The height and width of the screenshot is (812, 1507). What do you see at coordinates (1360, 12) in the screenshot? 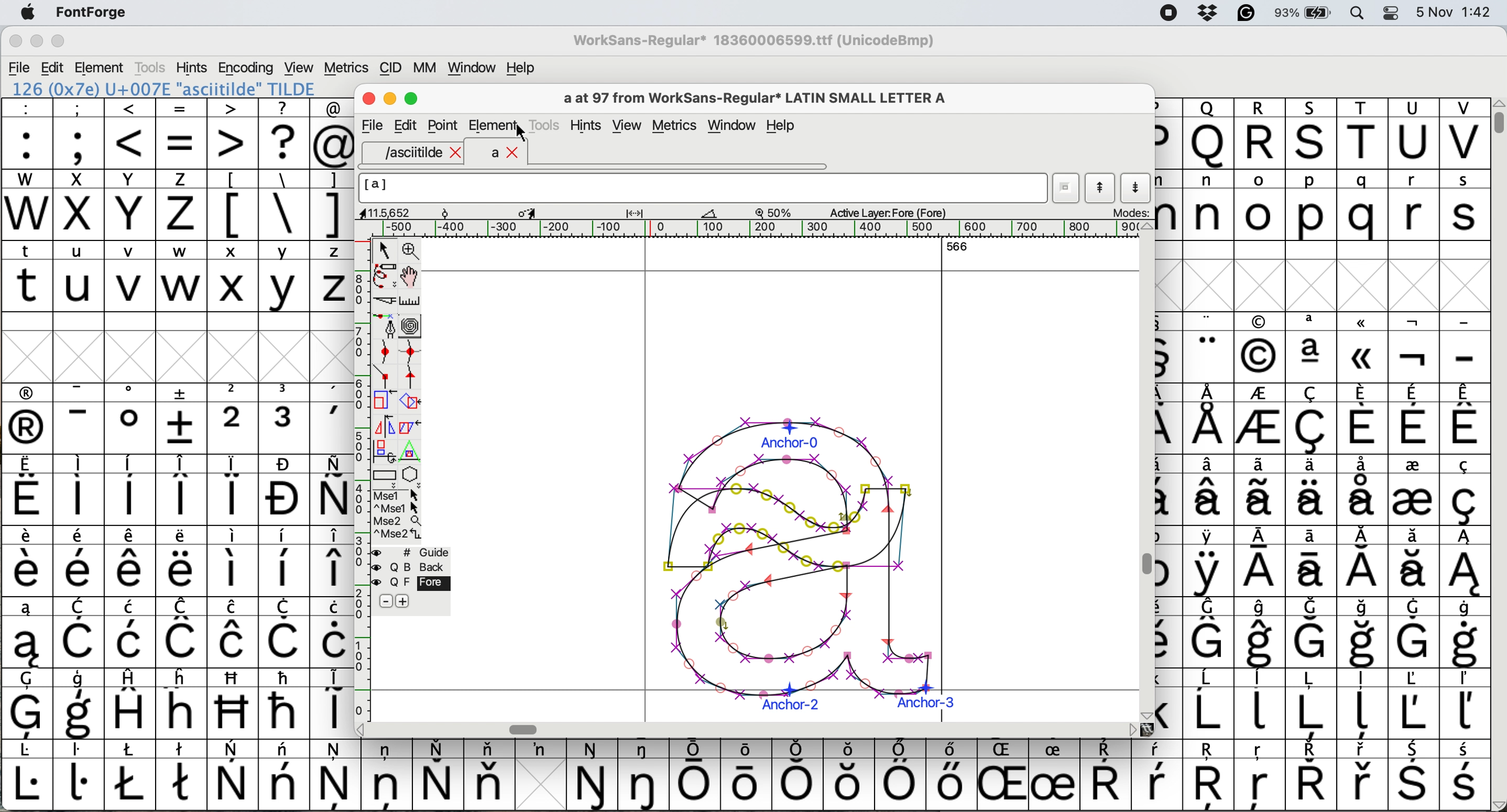
I see `spotlight search` at bounding box center [1360, 12].